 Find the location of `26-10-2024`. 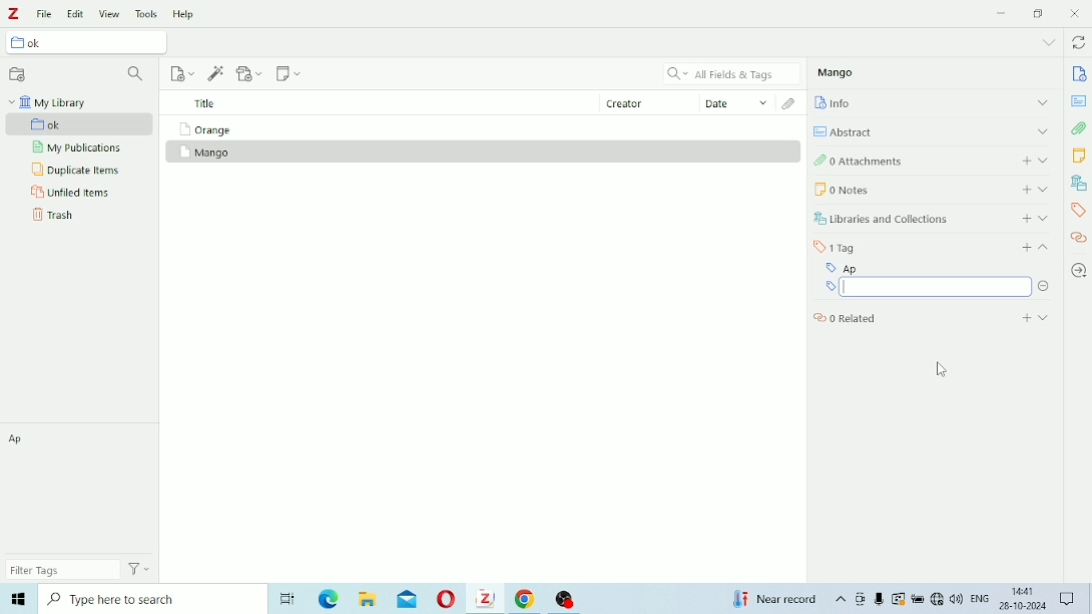

26-10-2024 is located at coordinates (1026, 608).